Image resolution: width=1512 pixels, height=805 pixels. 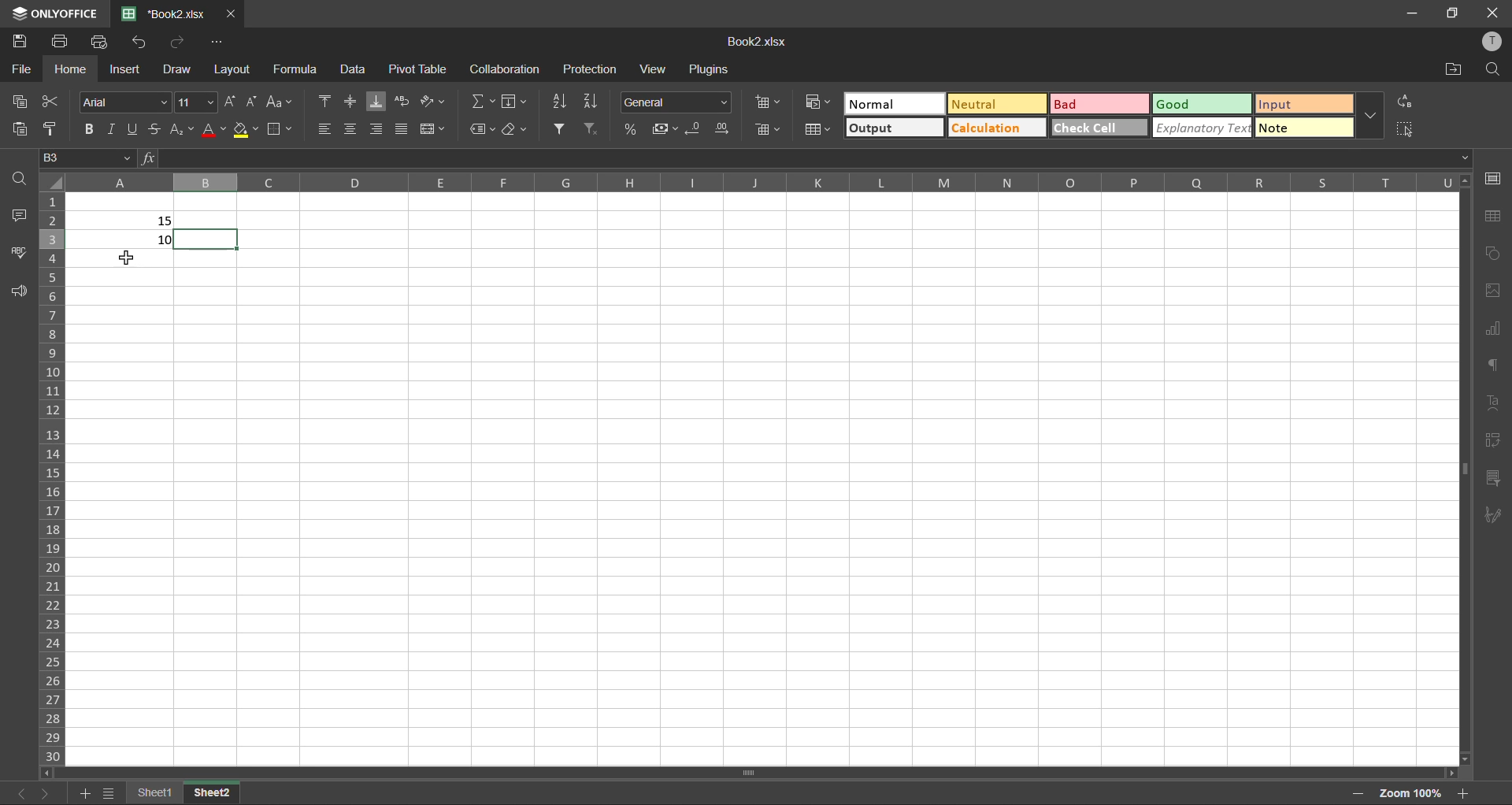 What do you see at coordinates (82, 792) in the screenshot?
I see `add sheet` at bounding box center [82, 792].